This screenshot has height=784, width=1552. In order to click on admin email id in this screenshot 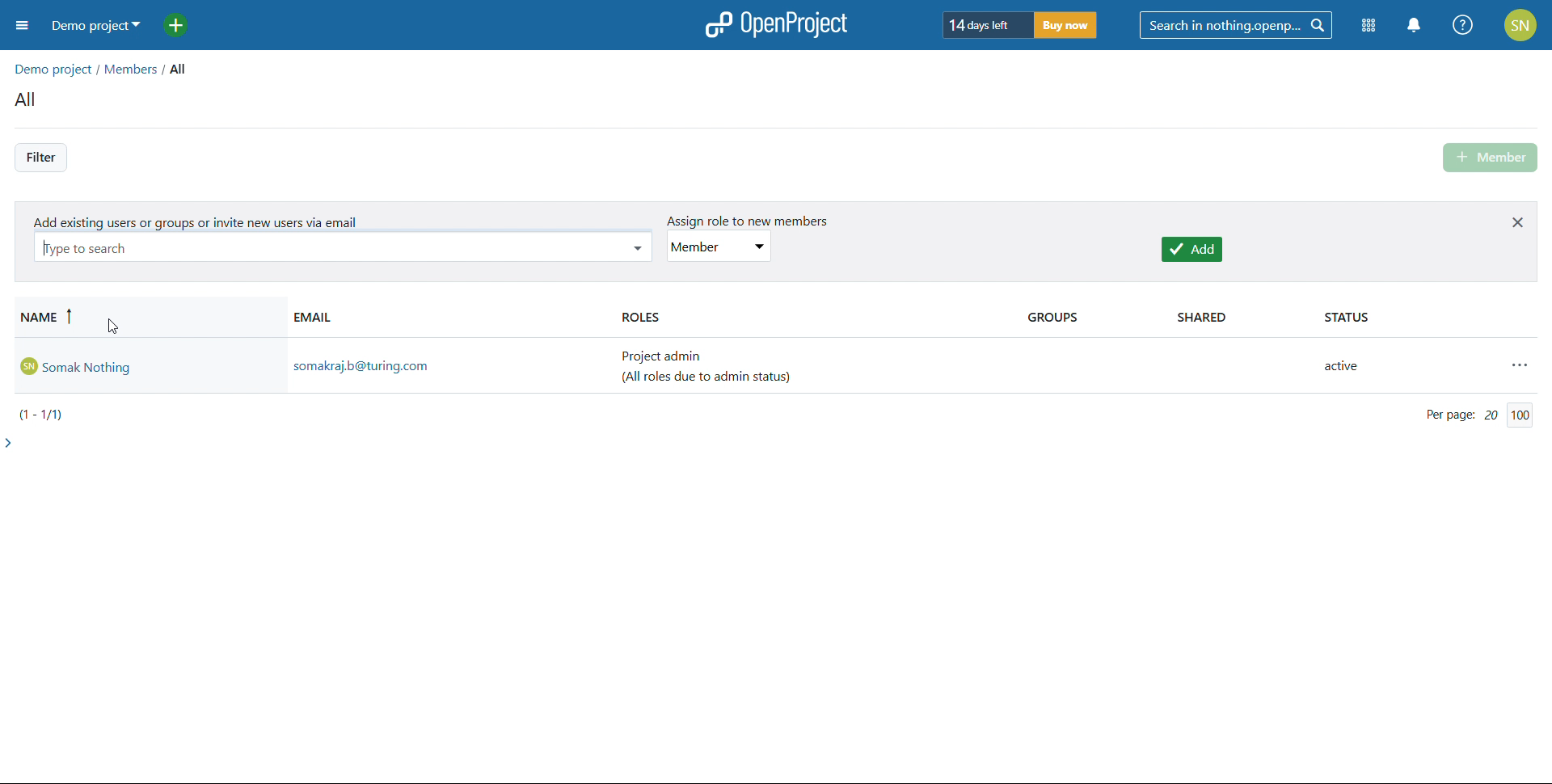, I will do `click(449, 367)`.